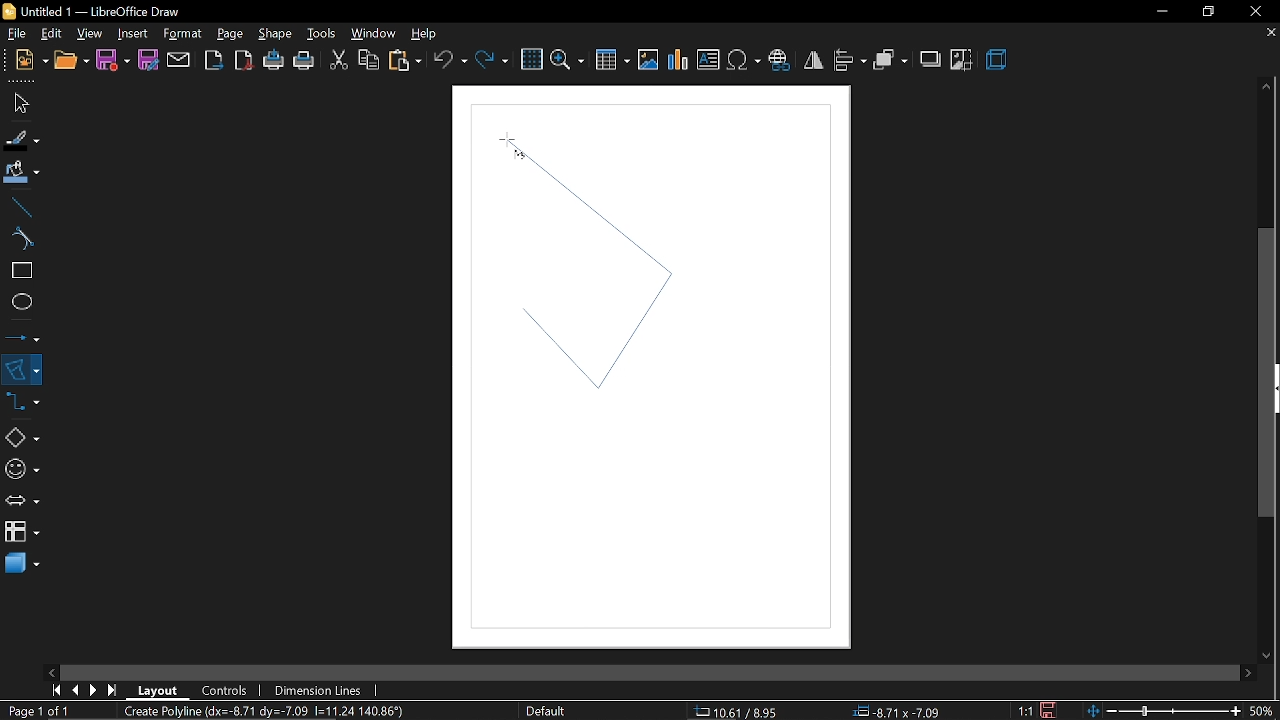  What do you see at coordinates (1261, 10) in the screenshot?
I see `close` at bounding box center [1261, 10].